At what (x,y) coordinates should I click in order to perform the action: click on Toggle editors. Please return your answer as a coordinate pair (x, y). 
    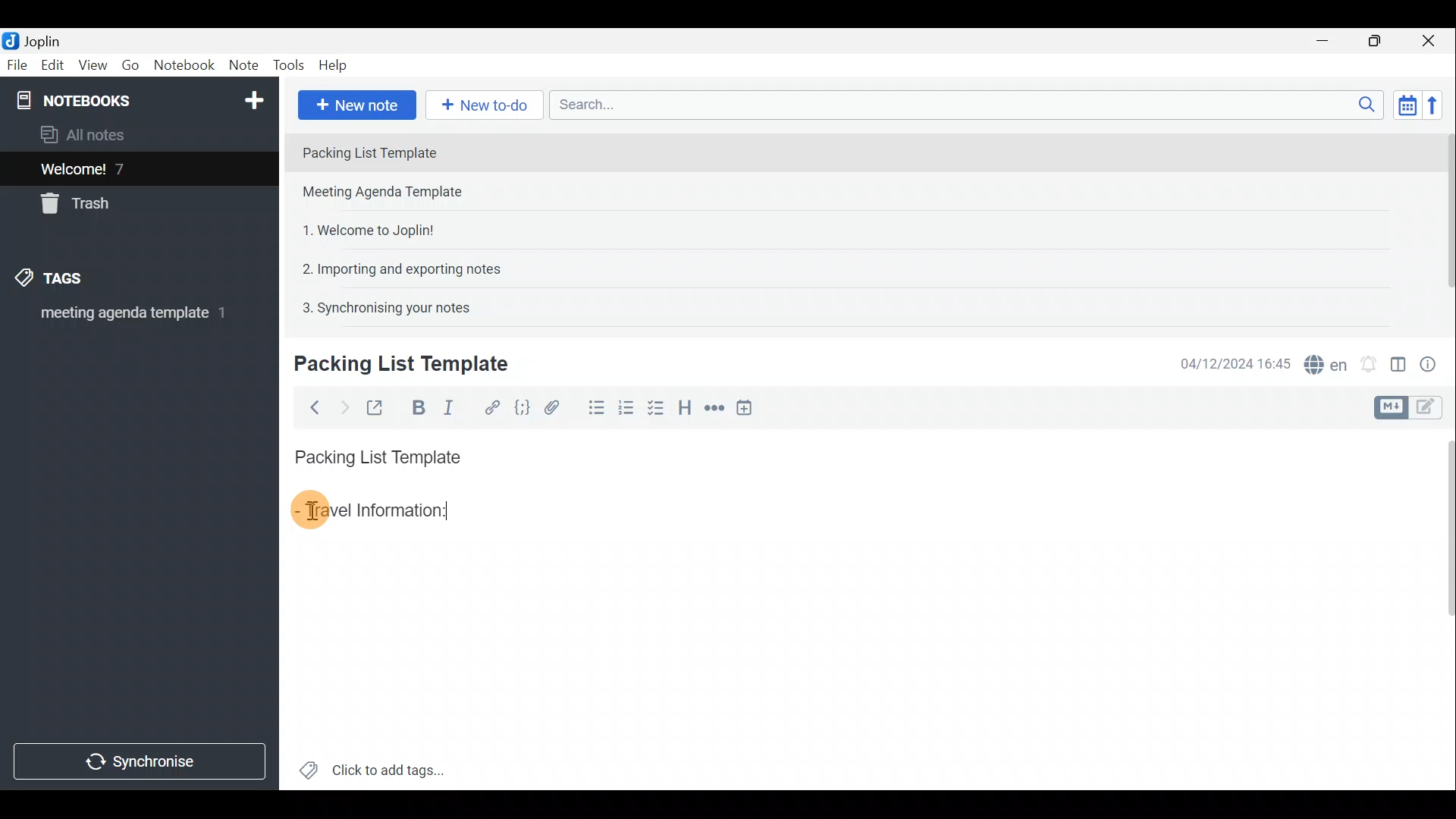
    Looking at the image, I should click on (1433, 409).